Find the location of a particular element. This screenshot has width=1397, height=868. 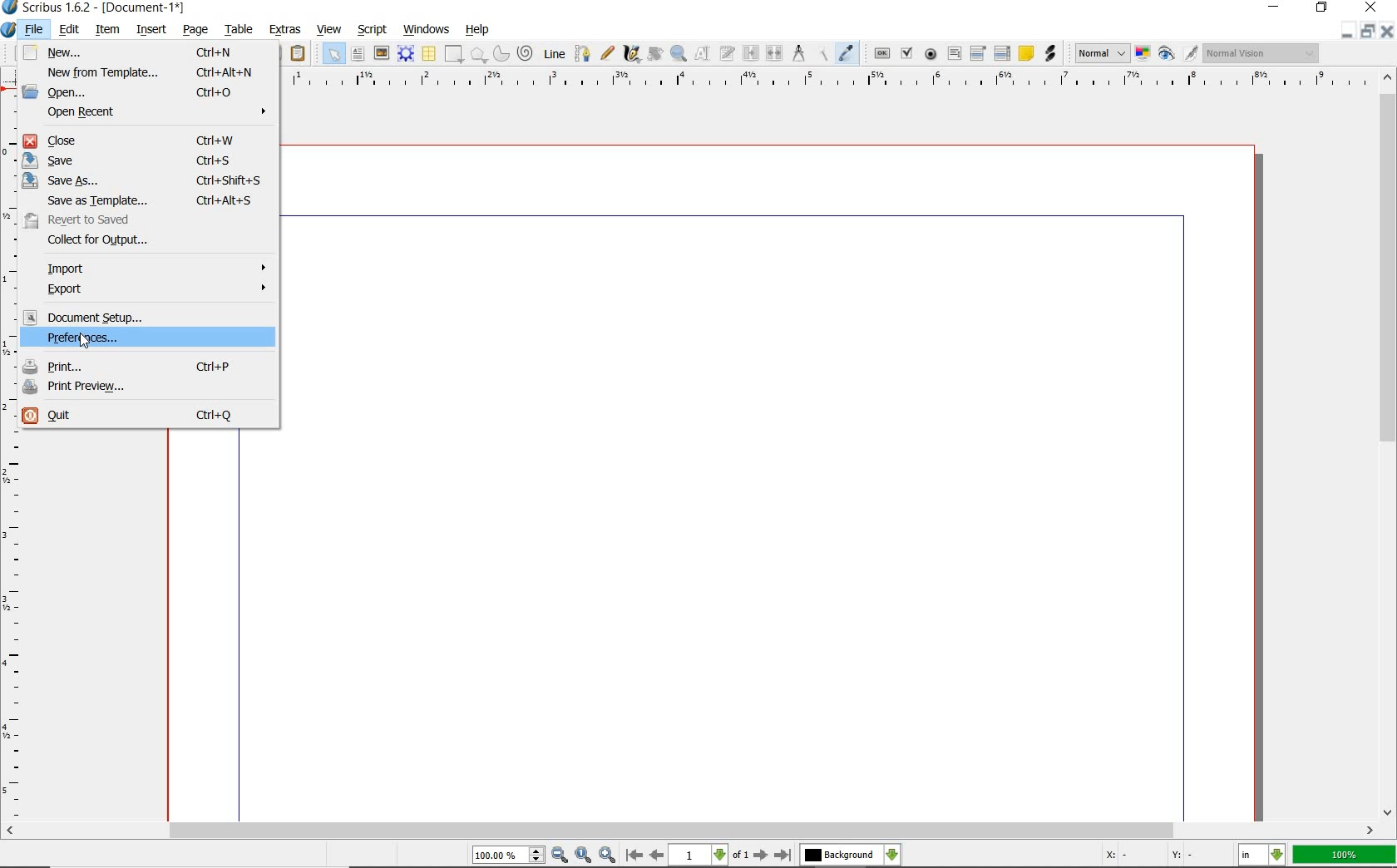

render frame is located at coordinates (405, 54).